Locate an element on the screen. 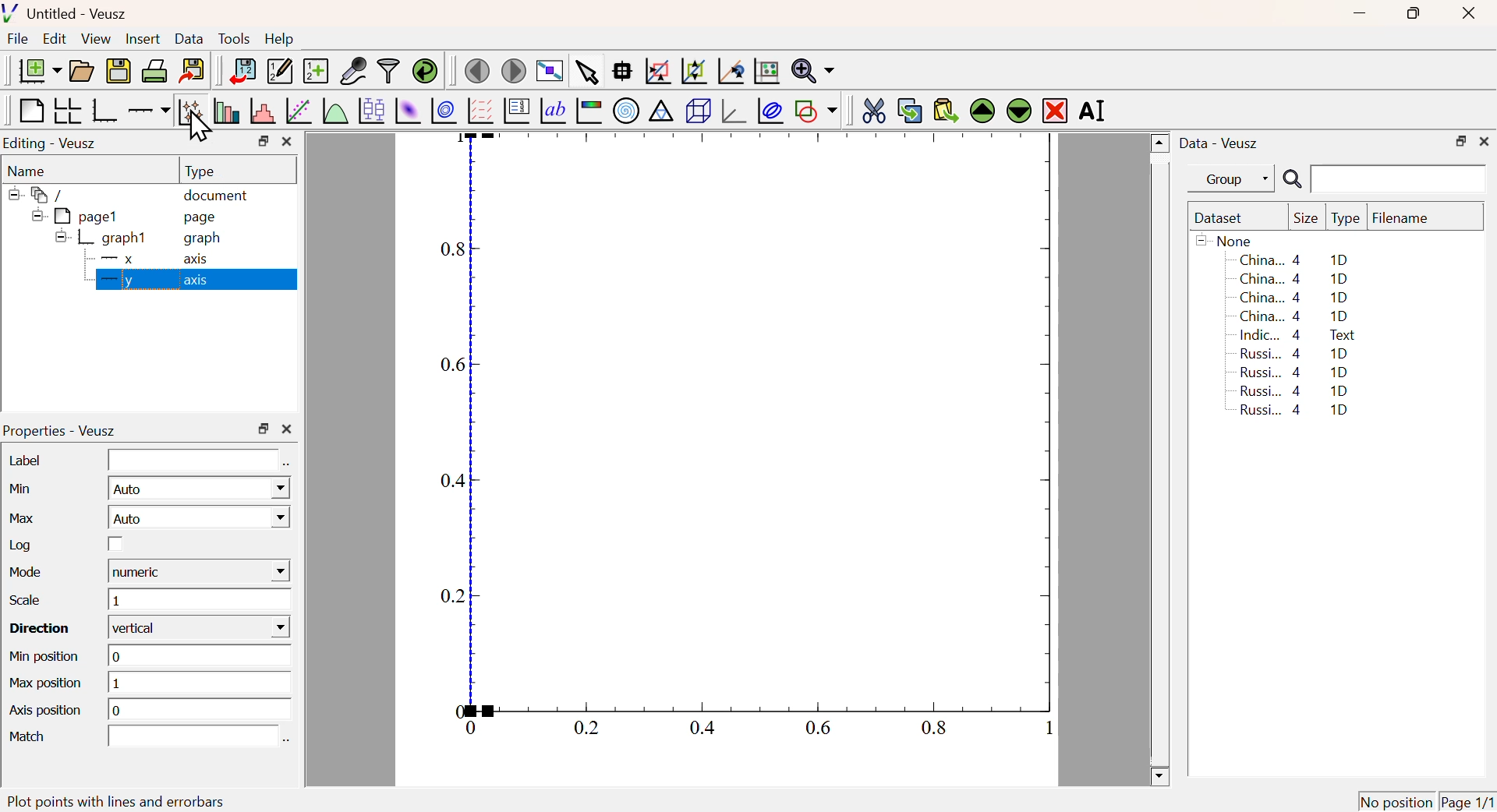  Click to reset graph axes is located at coordinates (728, 72).